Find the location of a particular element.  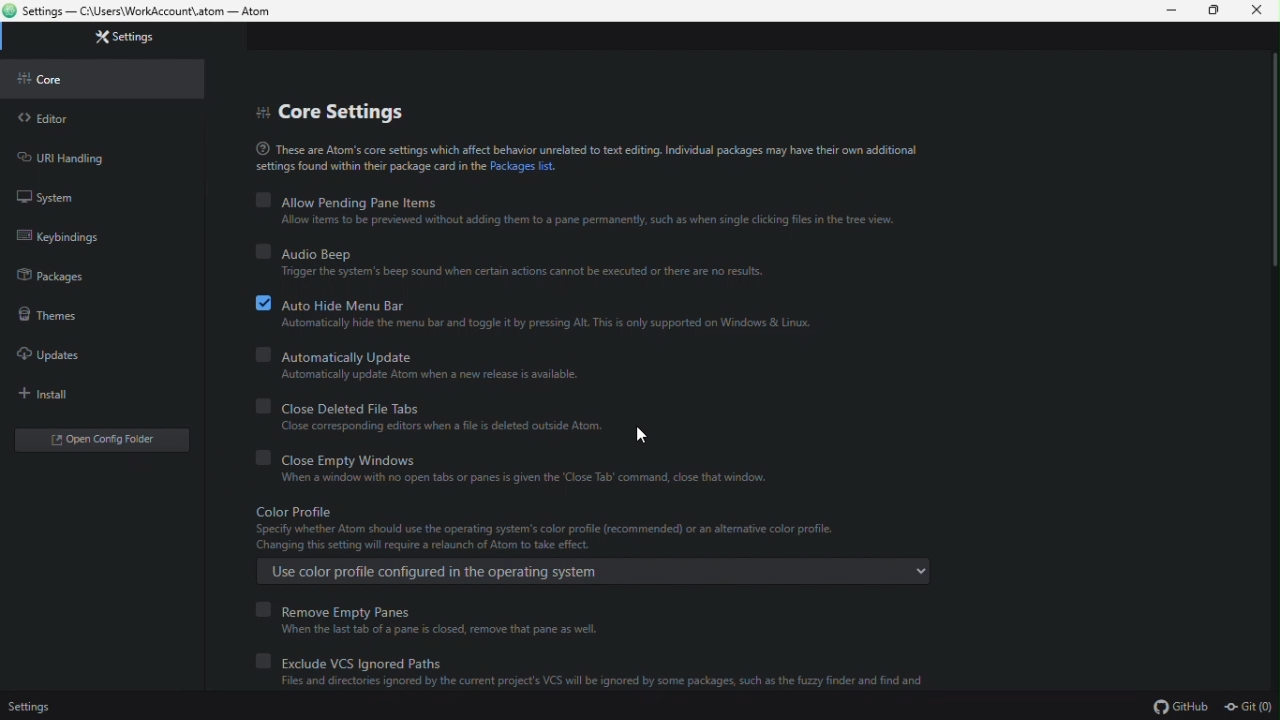

Open folder is located at coordinates (92, 439).